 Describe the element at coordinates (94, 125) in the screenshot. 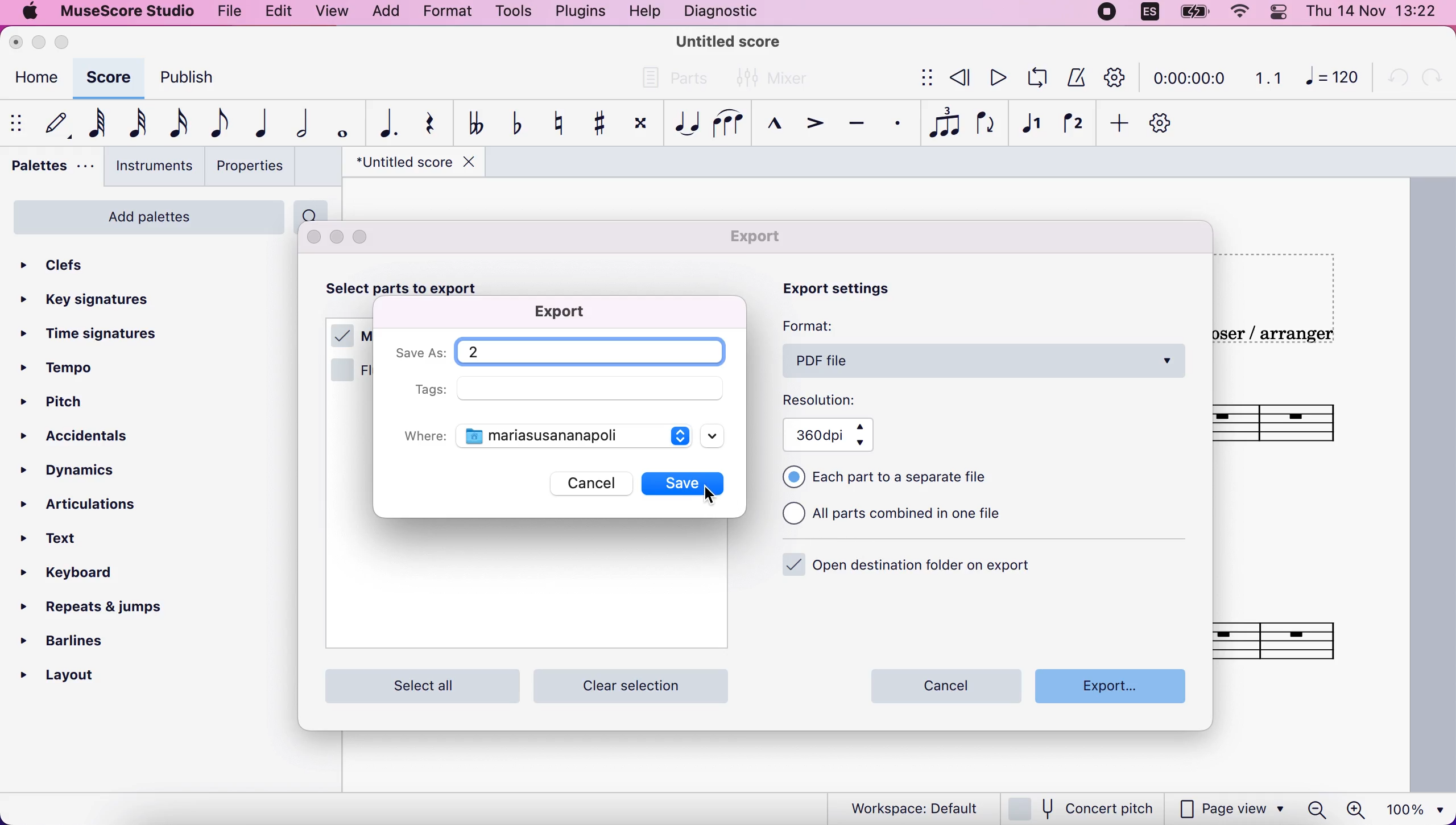

I see `64th note` at that location.